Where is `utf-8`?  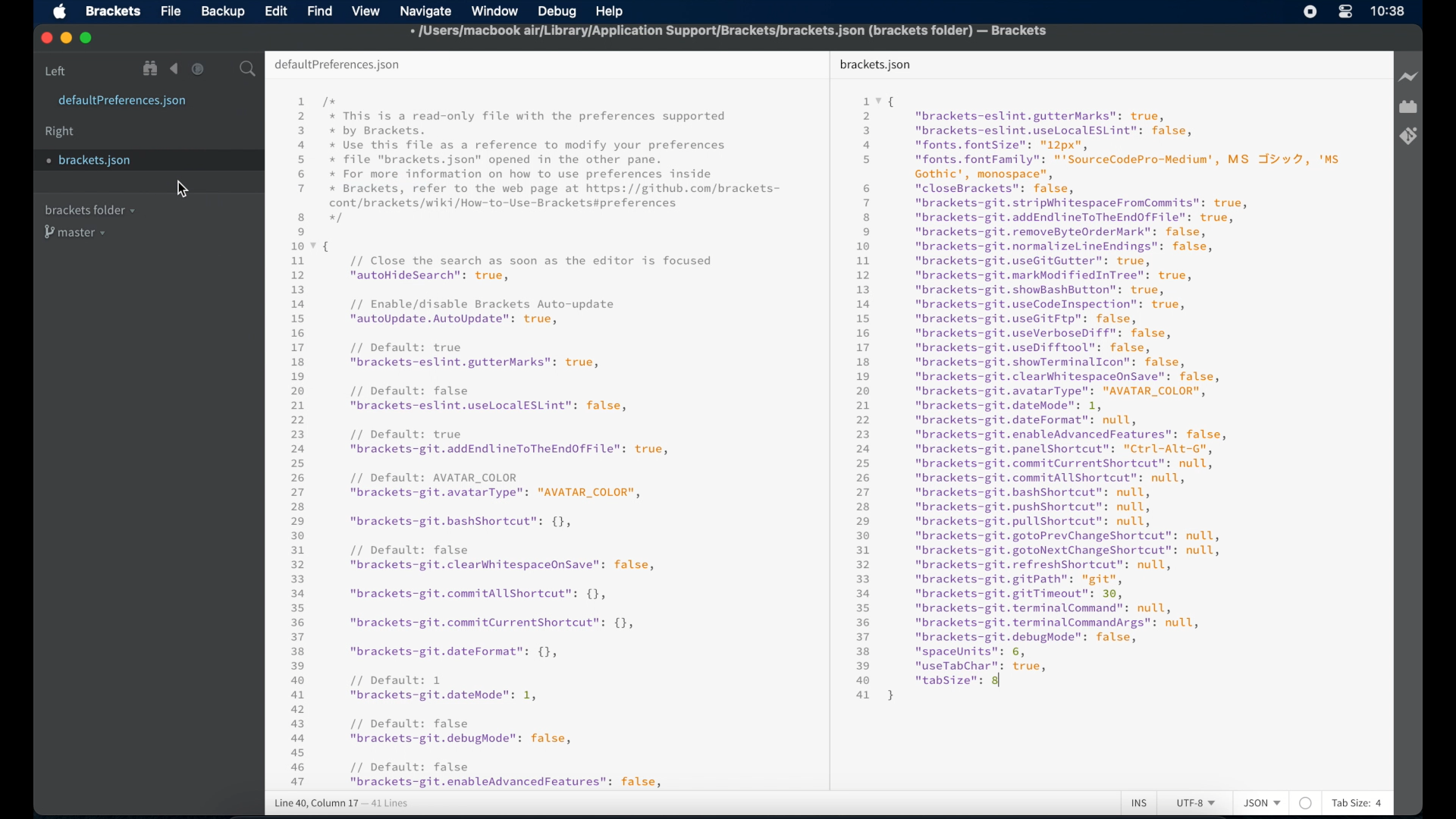
utf-8 is located at coordinates (1197, 803).